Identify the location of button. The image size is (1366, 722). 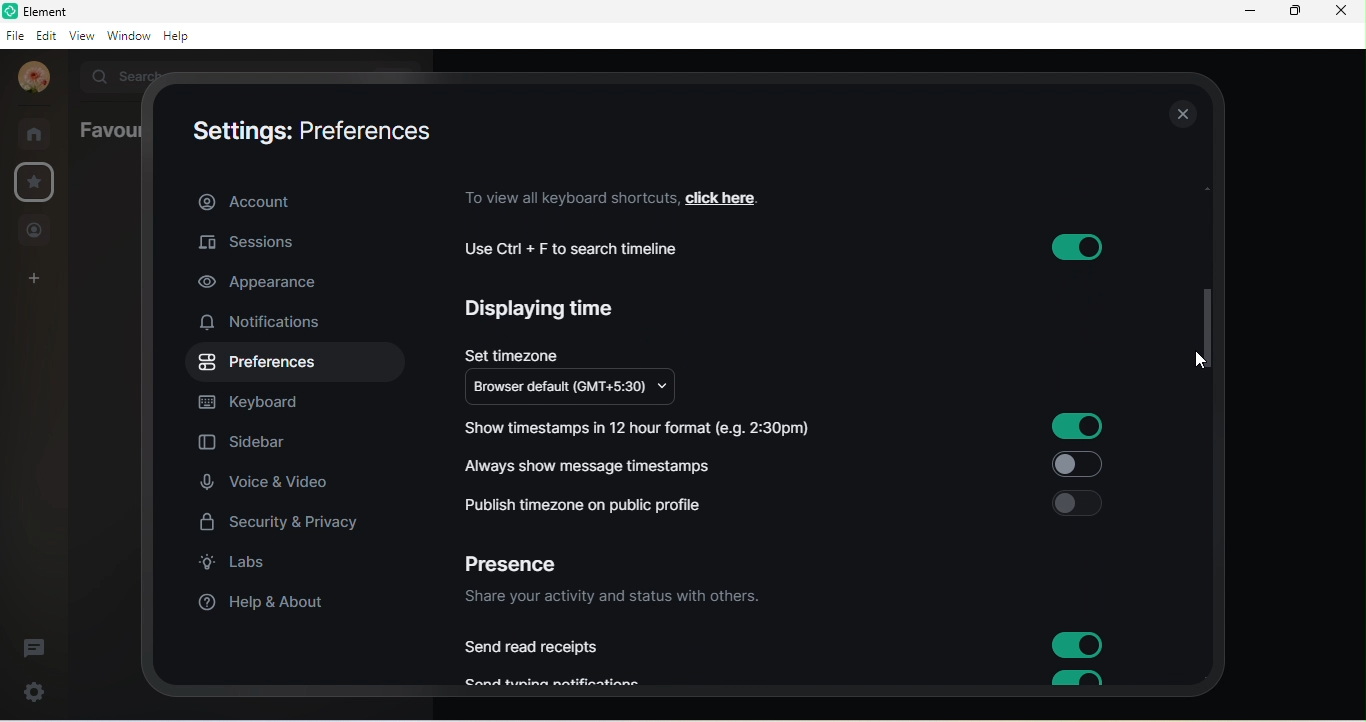
(1073, 247).